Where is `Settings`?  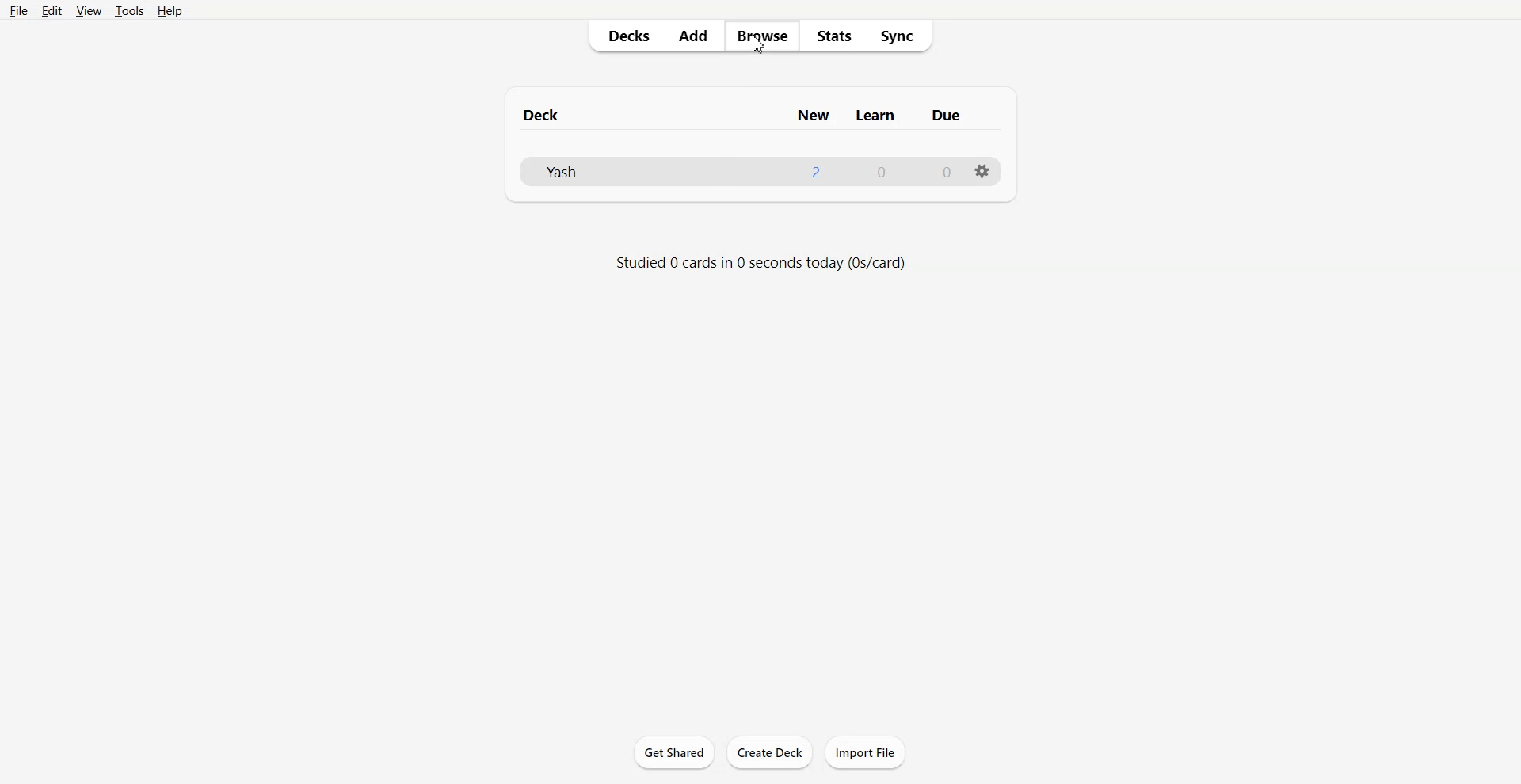 Settings is located at coordinates (983, 171).